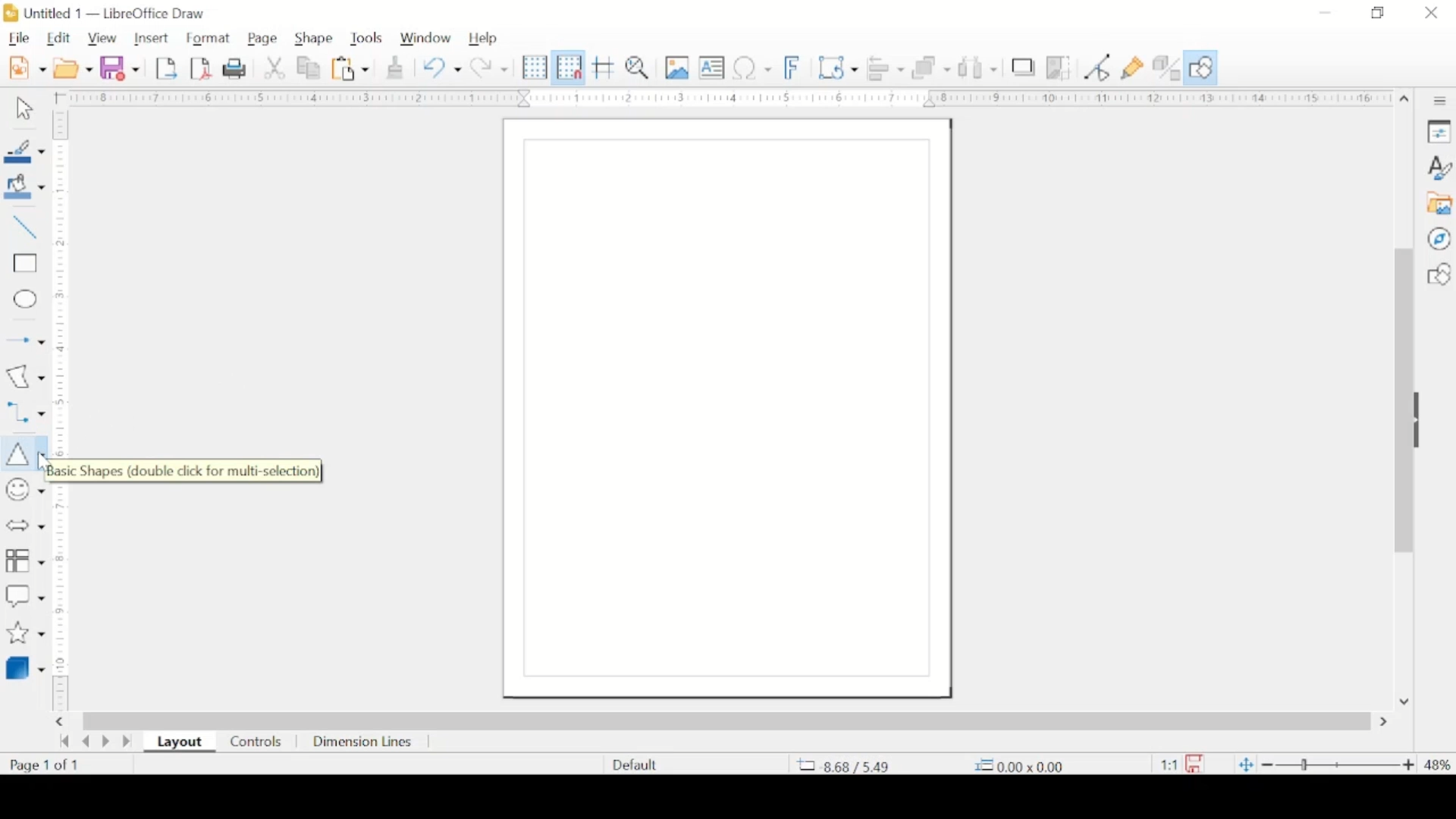 Image resolution: width=1456 pixels, height=819 pixels. What do you see at coordinates (1097, 67) in the screenshot?
I see `toggle point edit mode` at bounding box center [1097, 67].